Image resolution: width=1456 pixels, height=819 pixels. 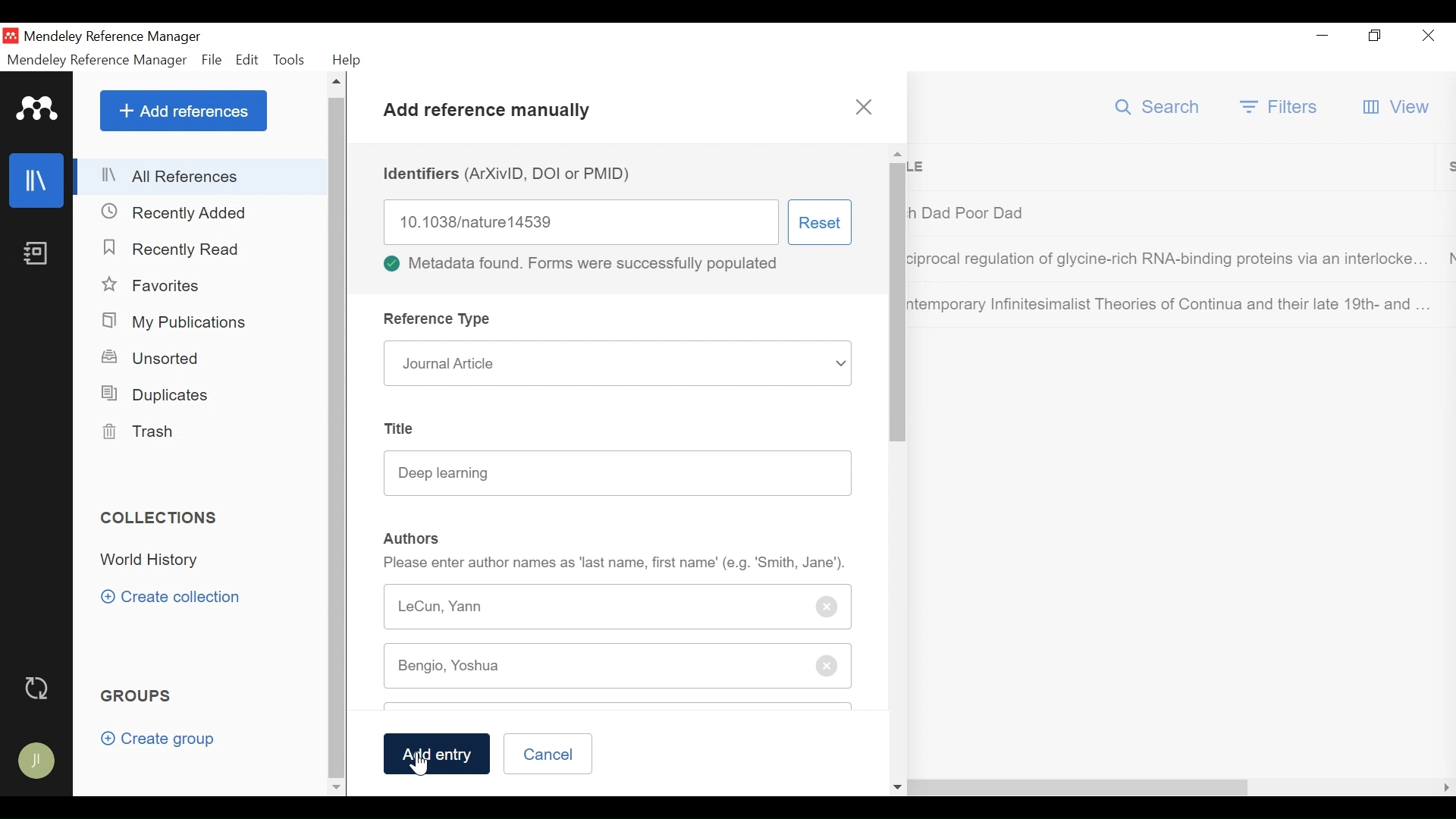 I want to click on Avatar, so click(x=36, y=761).